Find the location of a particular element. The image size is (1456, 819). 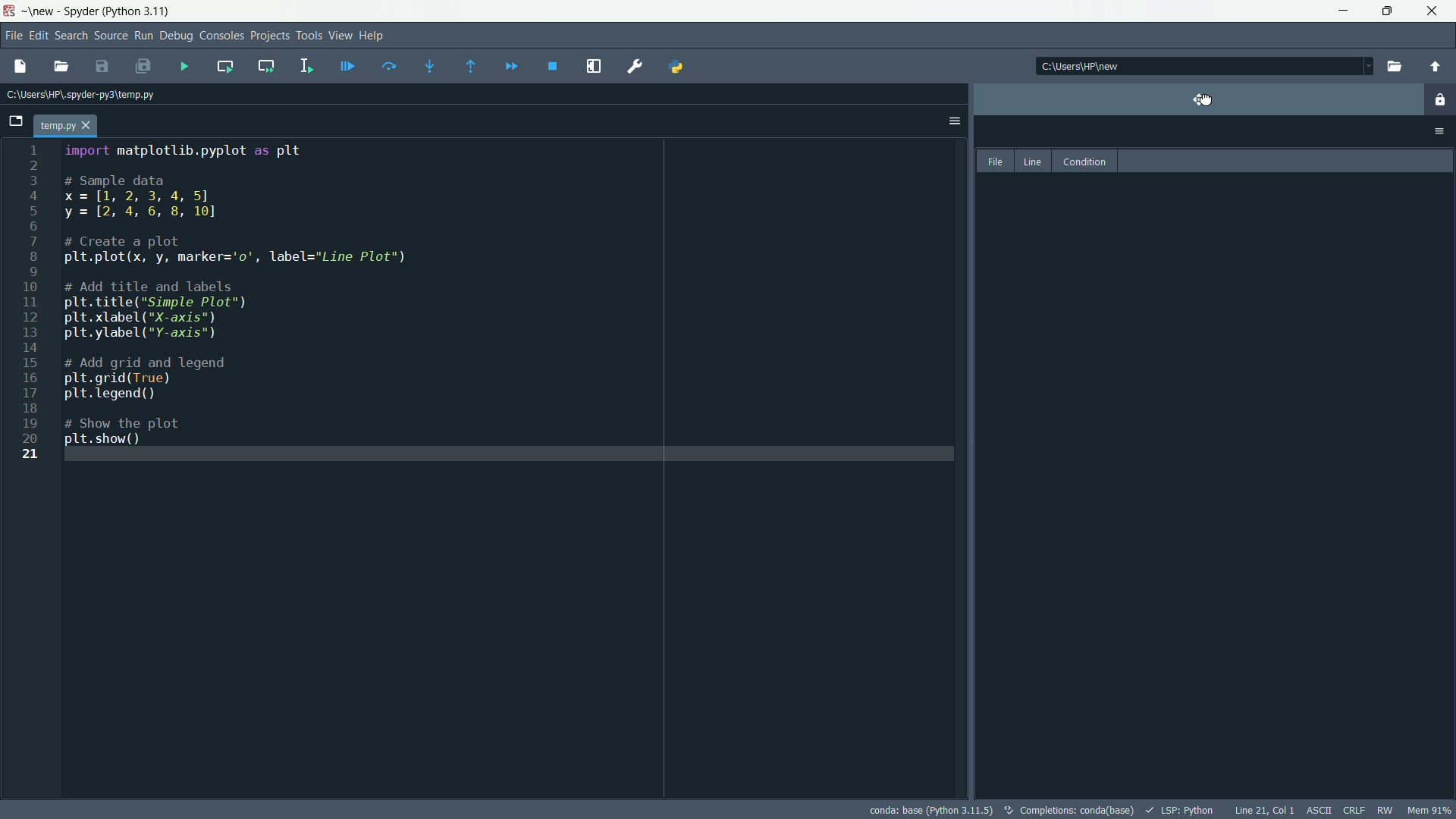

line is located at coordinates (1034, 161).